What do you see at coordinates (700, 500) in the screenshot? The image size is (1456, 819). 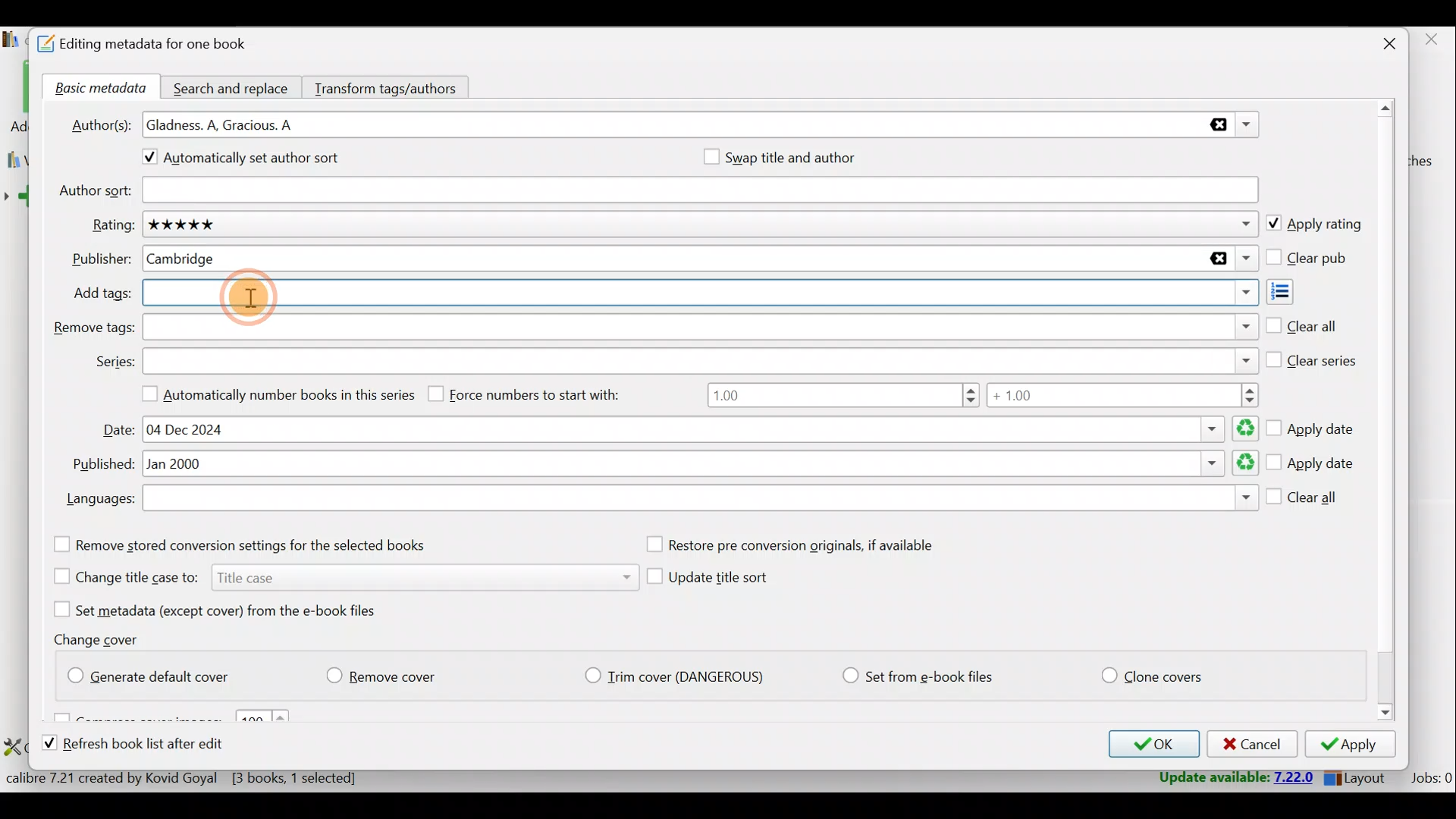 I see `Languages` at bounding box center [700, 500].